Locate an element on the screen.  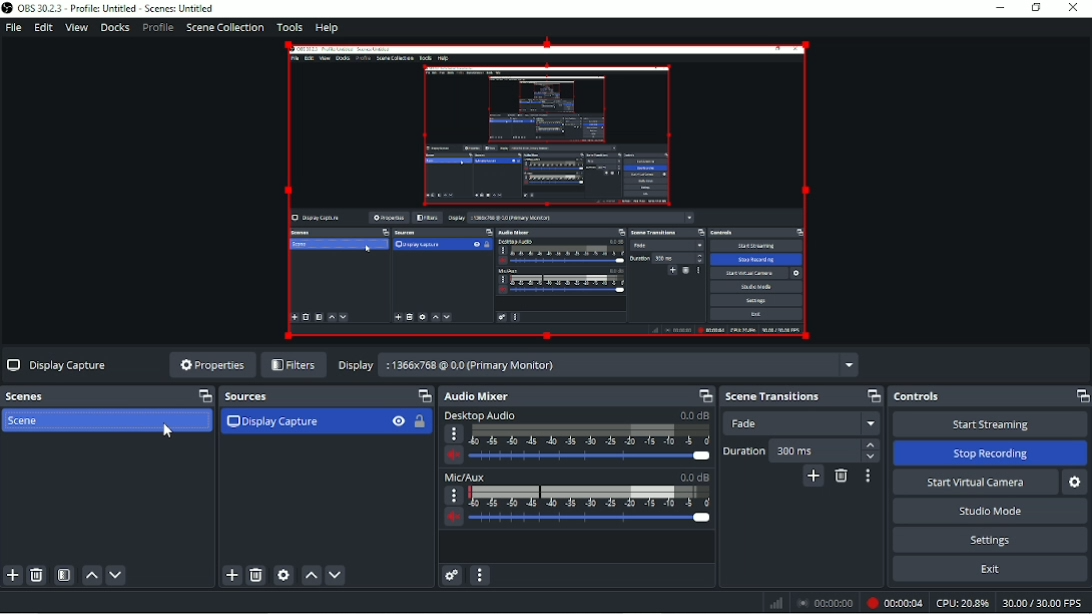
Remove configurable transition is located at coordinates (841, 478).